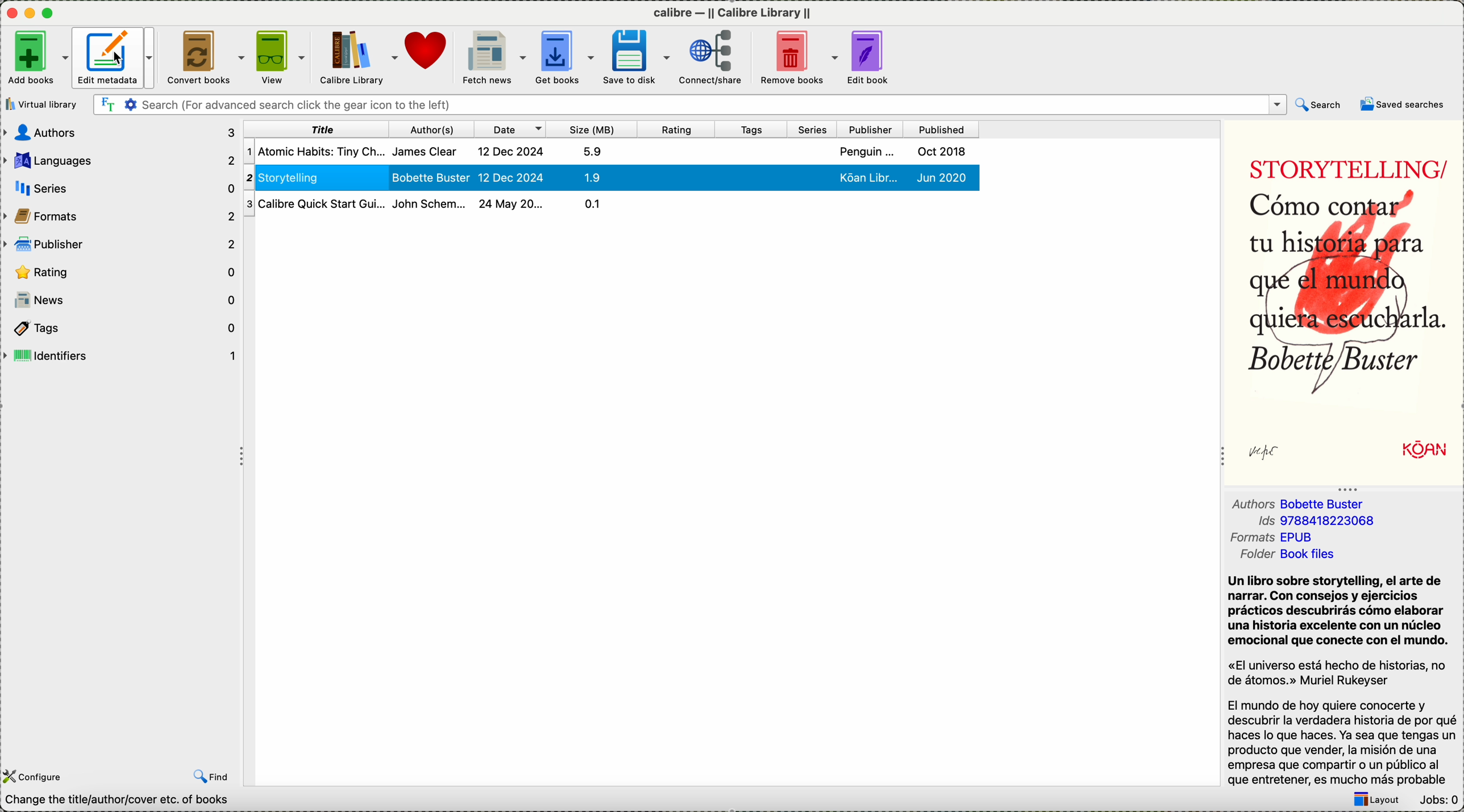  I want to click on Calibre, so click(731, 14).